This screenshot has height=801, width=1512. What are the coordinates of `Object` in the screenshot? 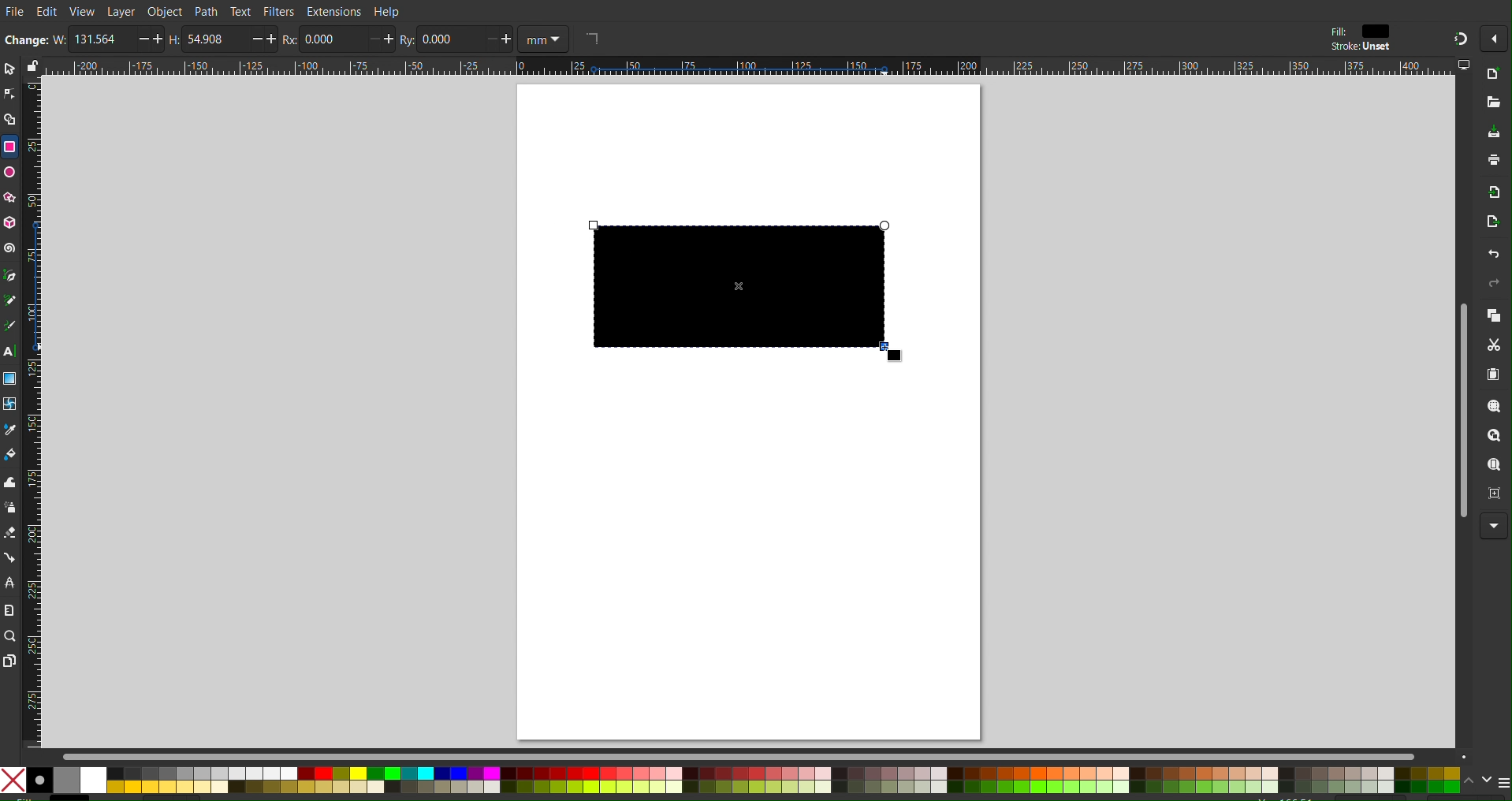 It's located at (165, 11).